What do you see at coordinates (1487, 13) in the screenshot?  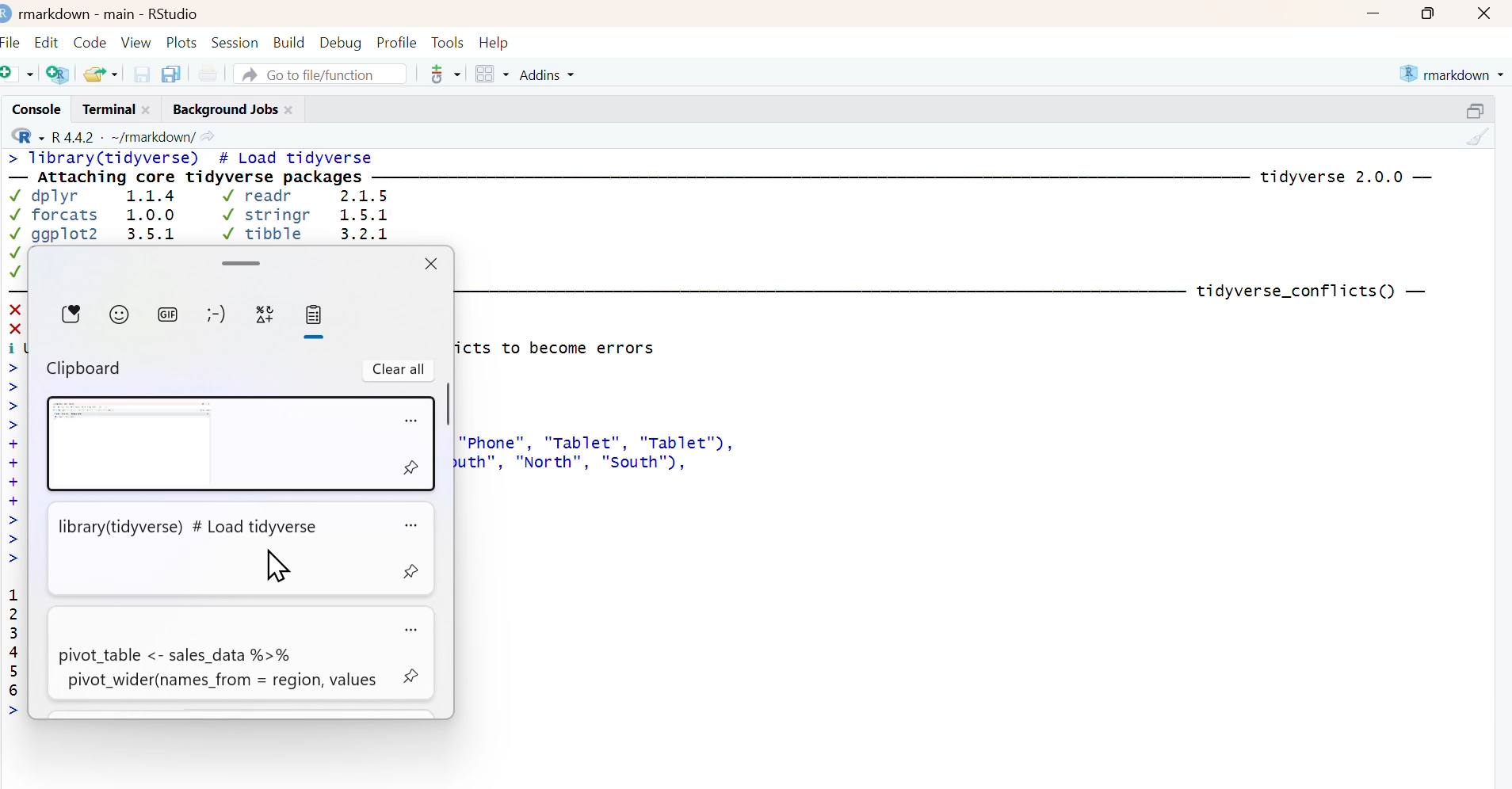 I see `close` at bounding box center [1487, 13].